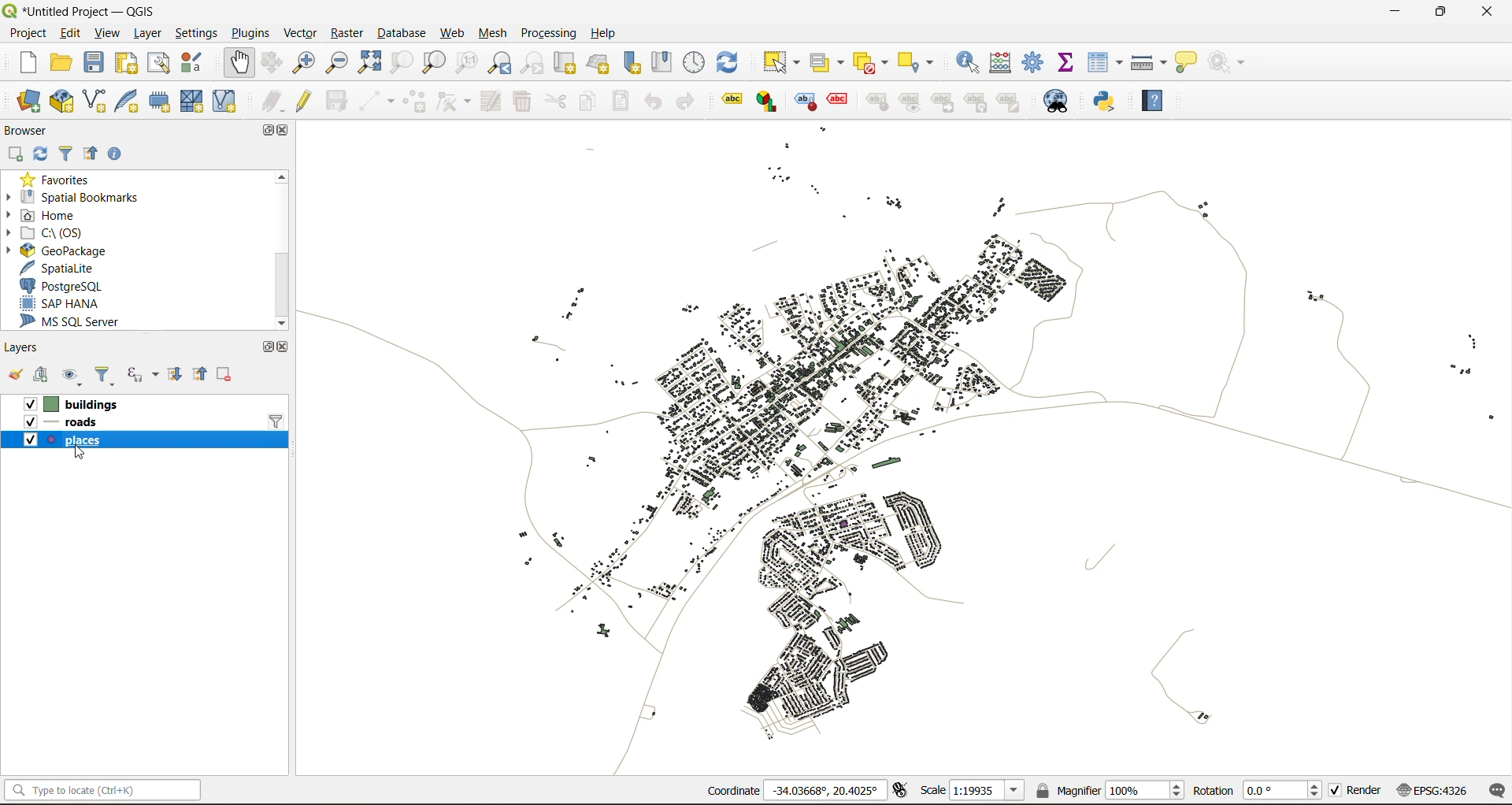  Describe the element at coordinates (18, 154) in the screenshot. I see `add` at that location.